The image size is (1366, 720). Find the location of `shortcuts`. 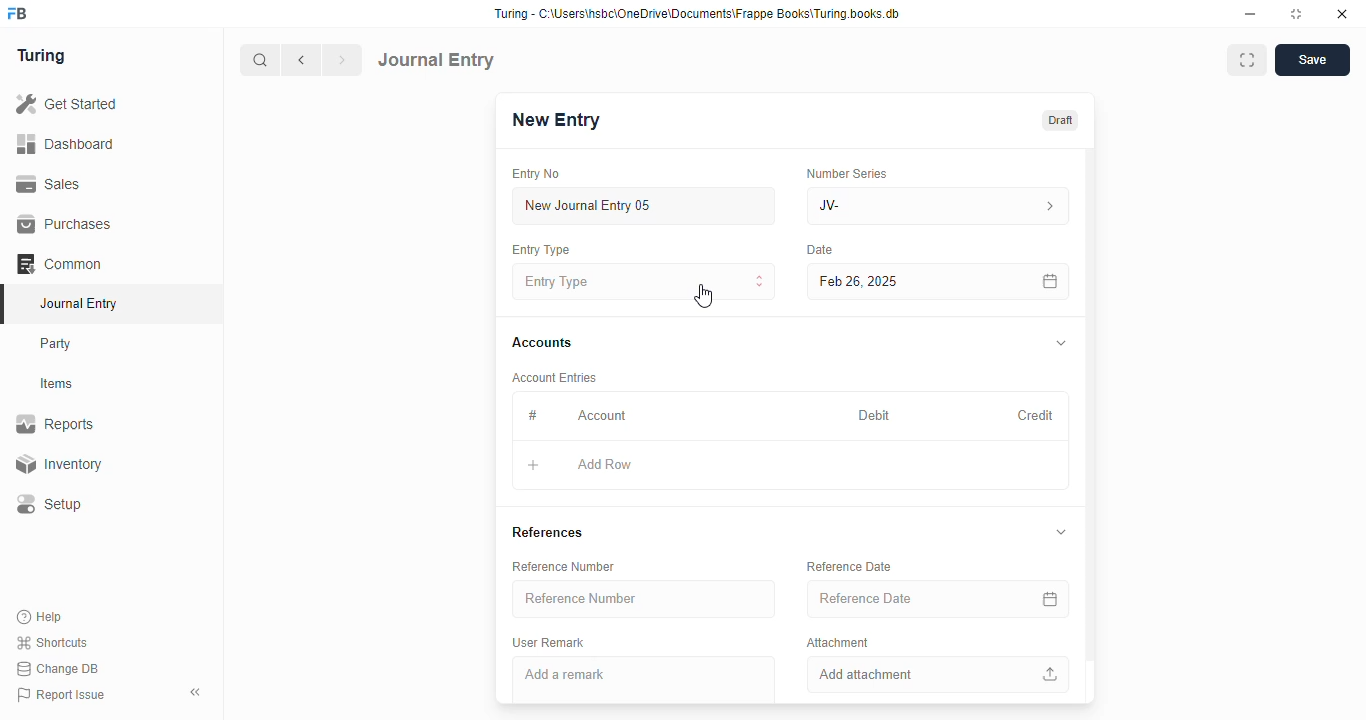

shortcuts is located at coordinates (52, 643).